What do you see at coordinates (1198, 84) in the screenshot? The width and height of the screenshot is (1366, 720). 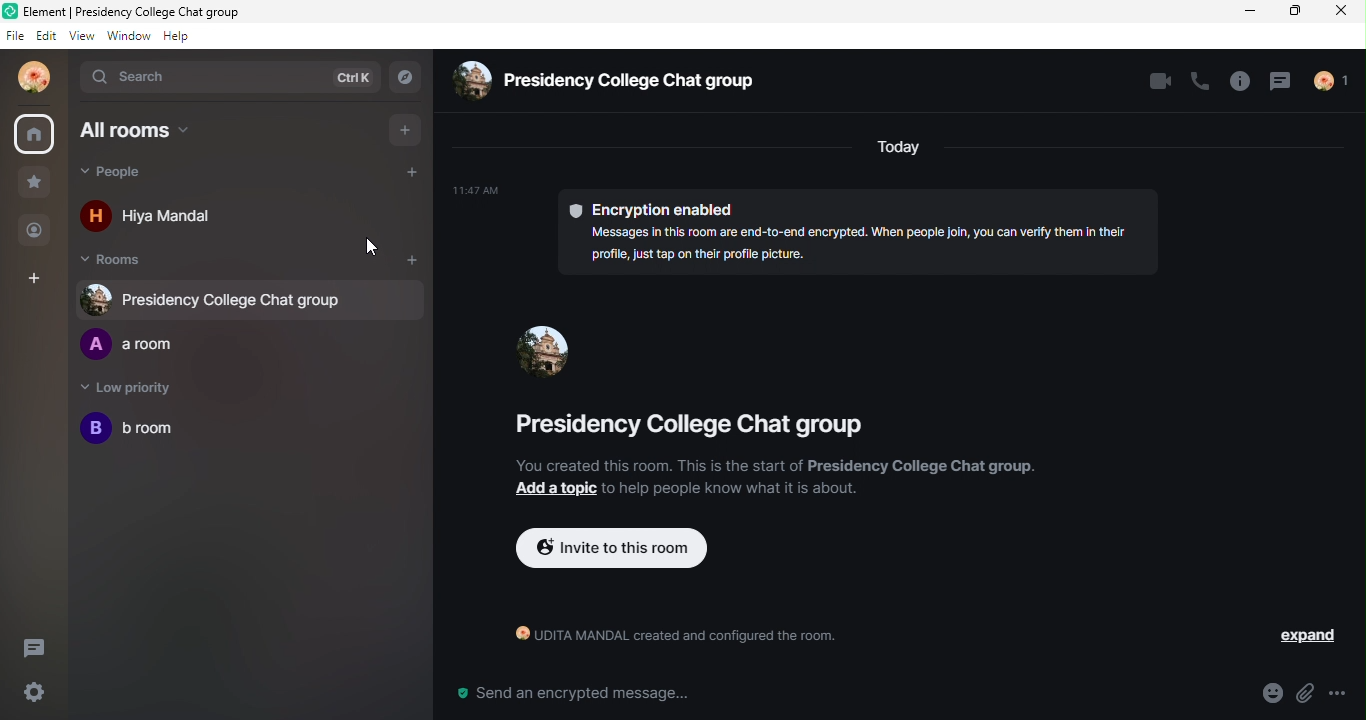 I see `voice call` at bounding box center [1198, 84].